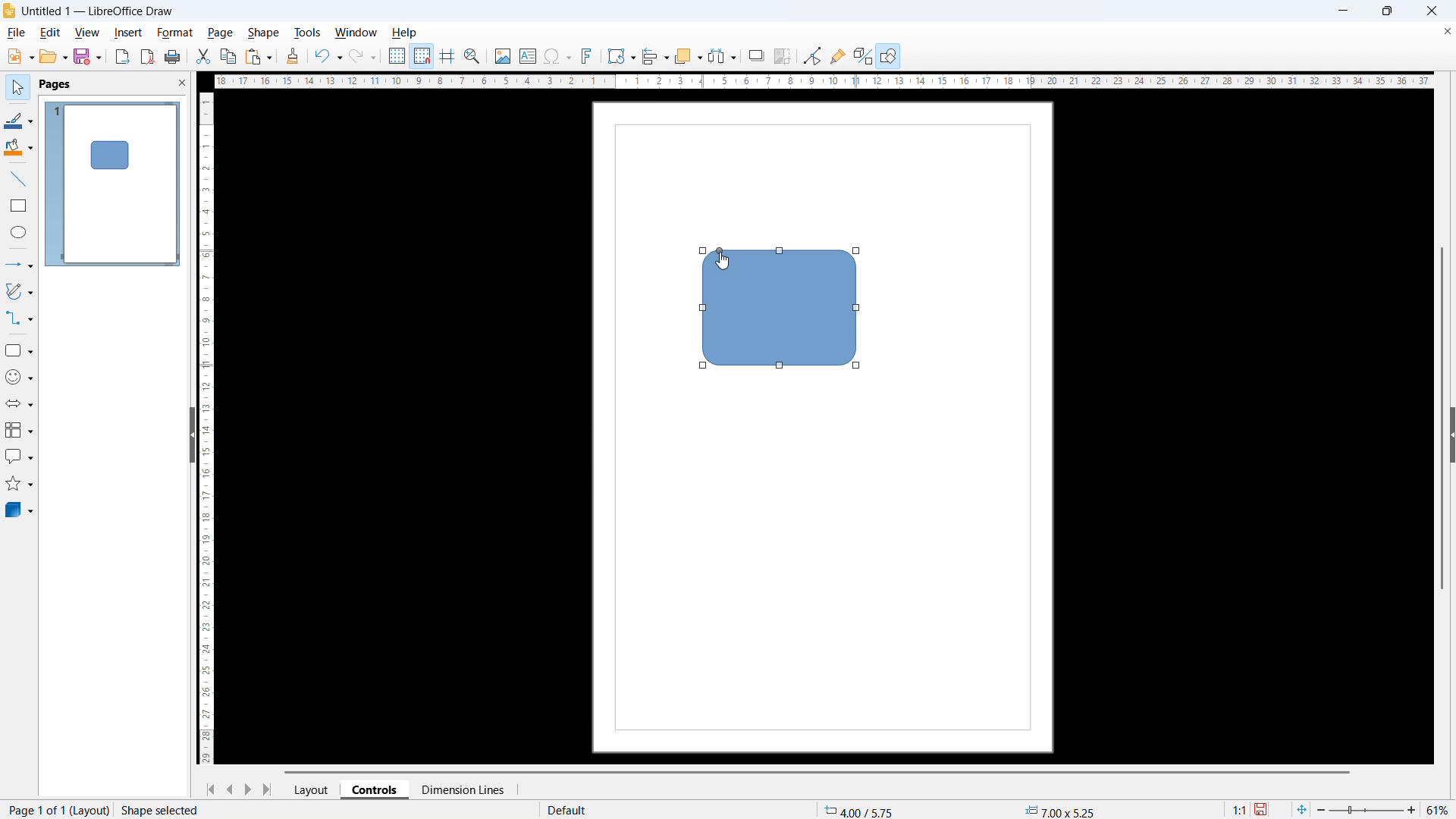  What do you see at coordinates (86, 33) in the screenshot?
I see `view ` at bounding box center [86, 33].